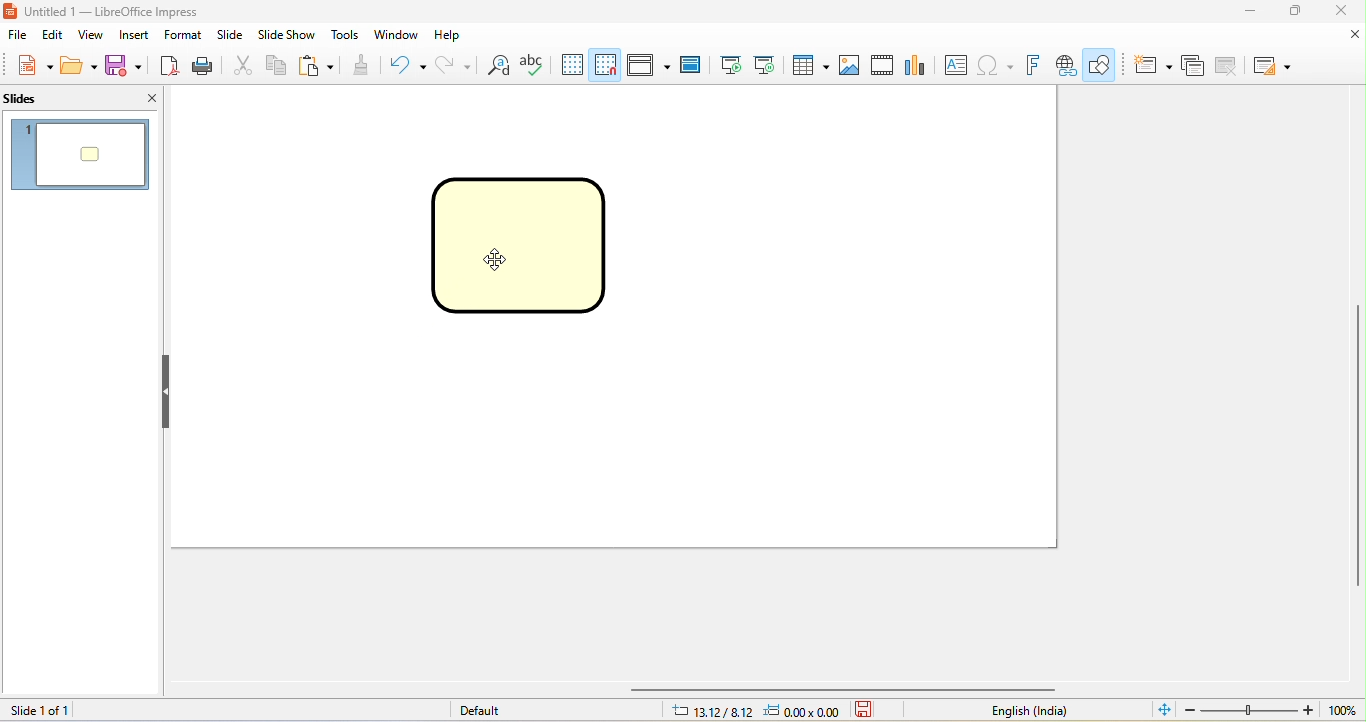 The height and width of the screenshot is (722, 1366). Describe the element at coordinates (886, 65) in the screenshot. I see `vedio` at that location.